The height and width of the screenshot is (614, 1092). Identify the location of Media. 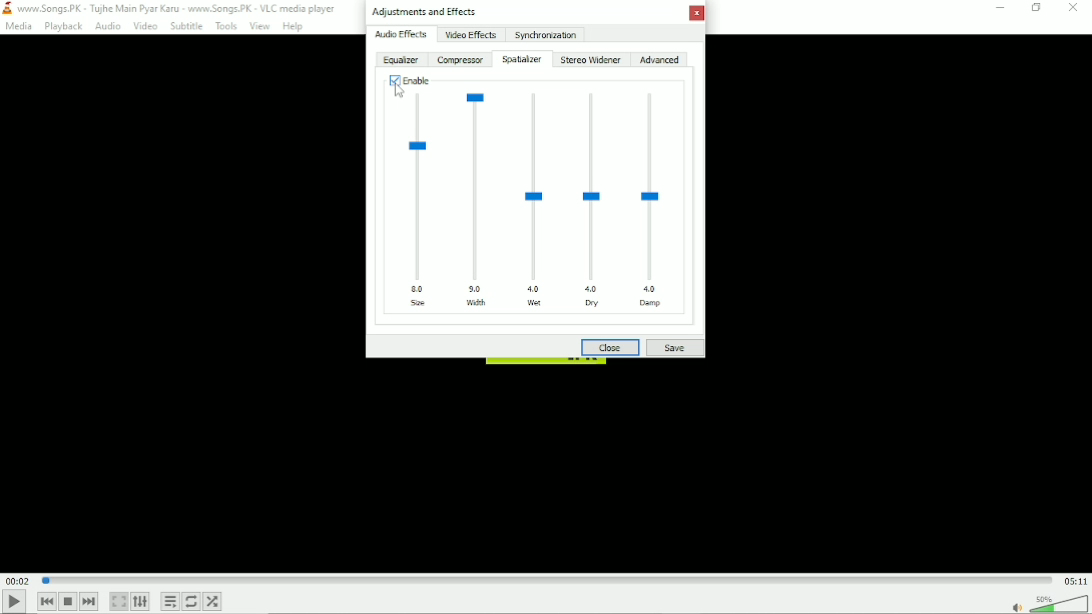
(20, 26).